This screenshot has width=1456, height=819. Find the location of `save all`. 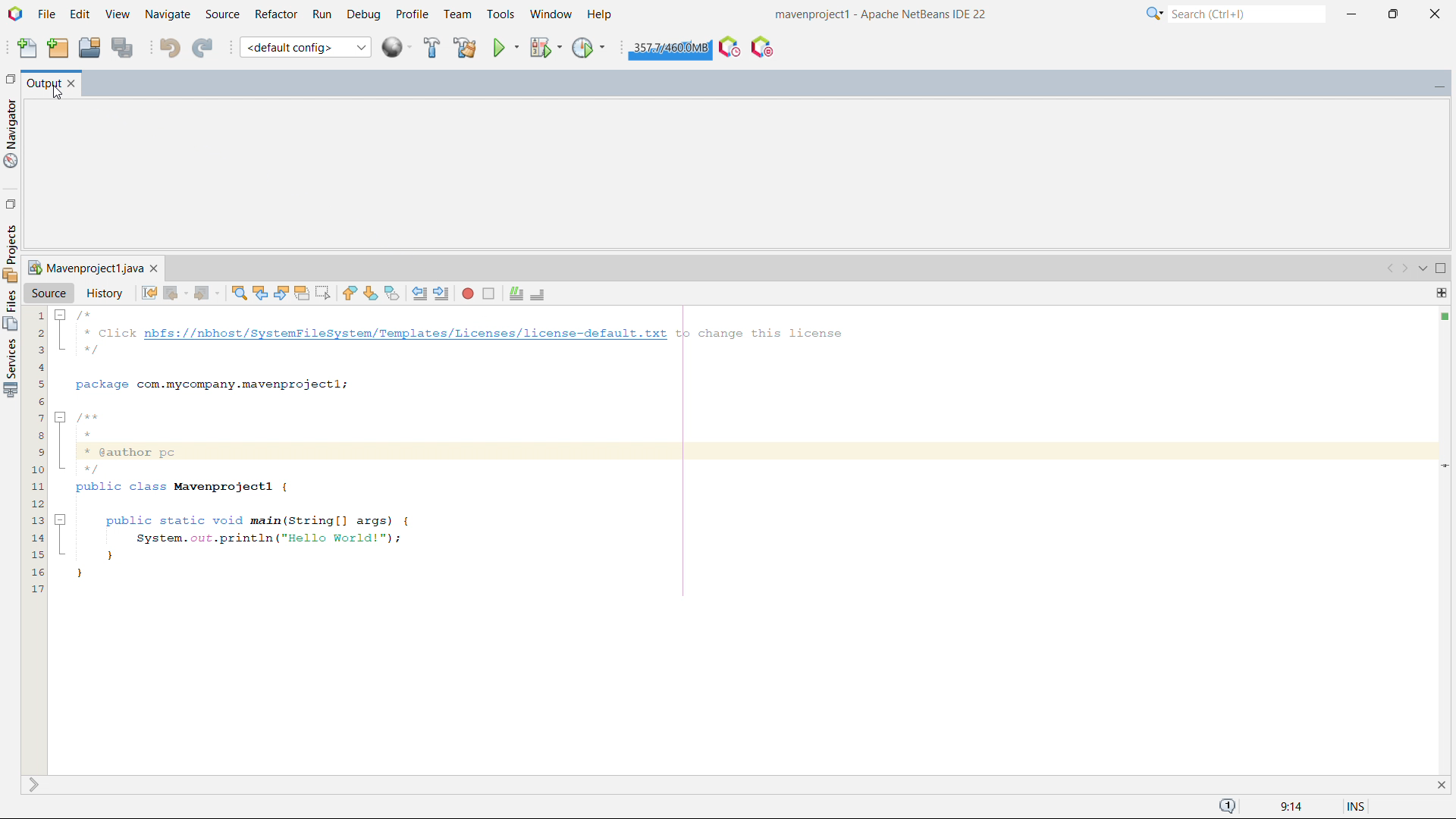

save all is located at coordinates (121, 46).